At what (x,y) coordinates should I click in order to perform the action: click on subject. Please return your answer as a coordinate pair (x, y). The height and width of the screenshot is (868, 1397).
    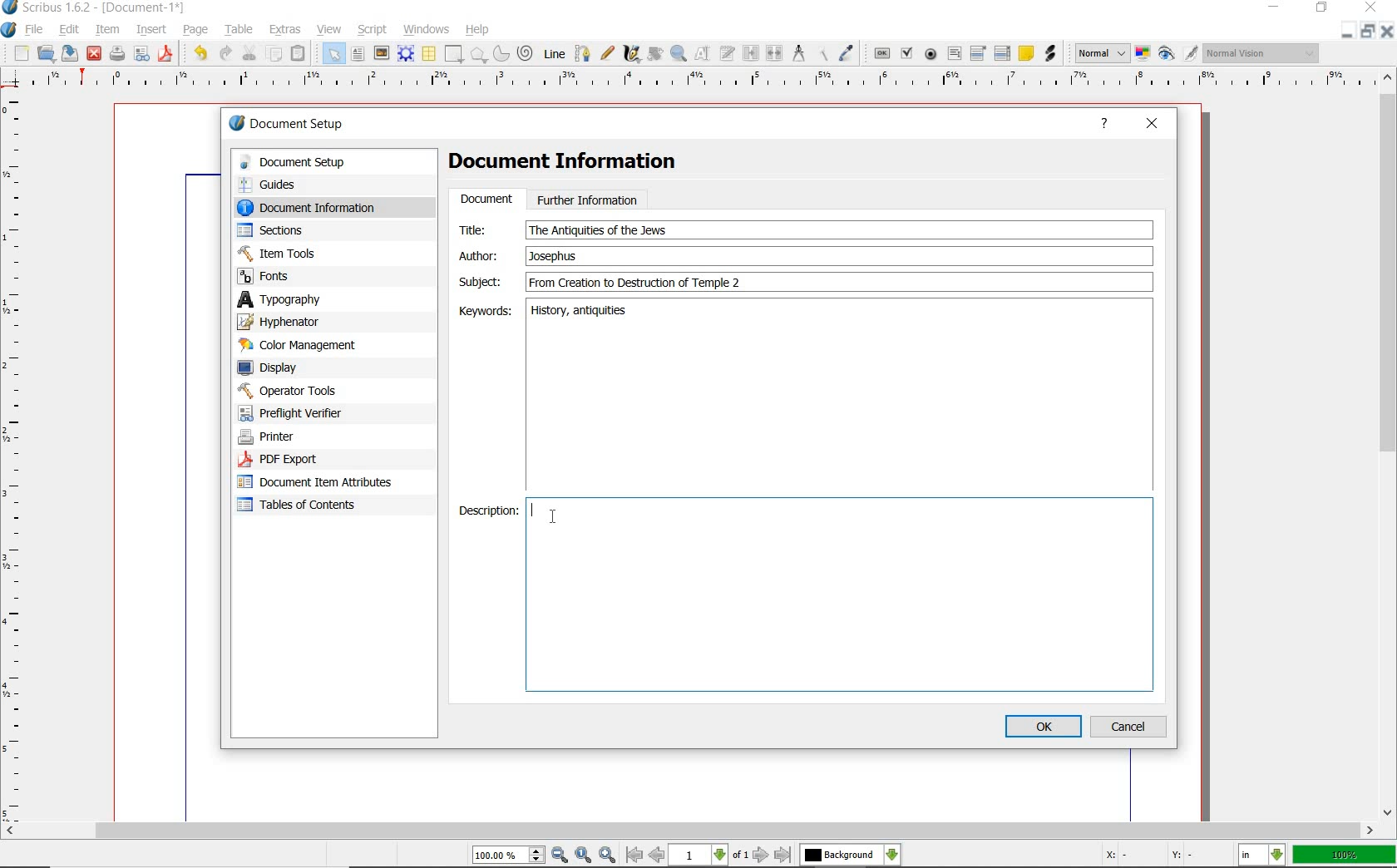
    Looking at the image, I should click on (837, 282).